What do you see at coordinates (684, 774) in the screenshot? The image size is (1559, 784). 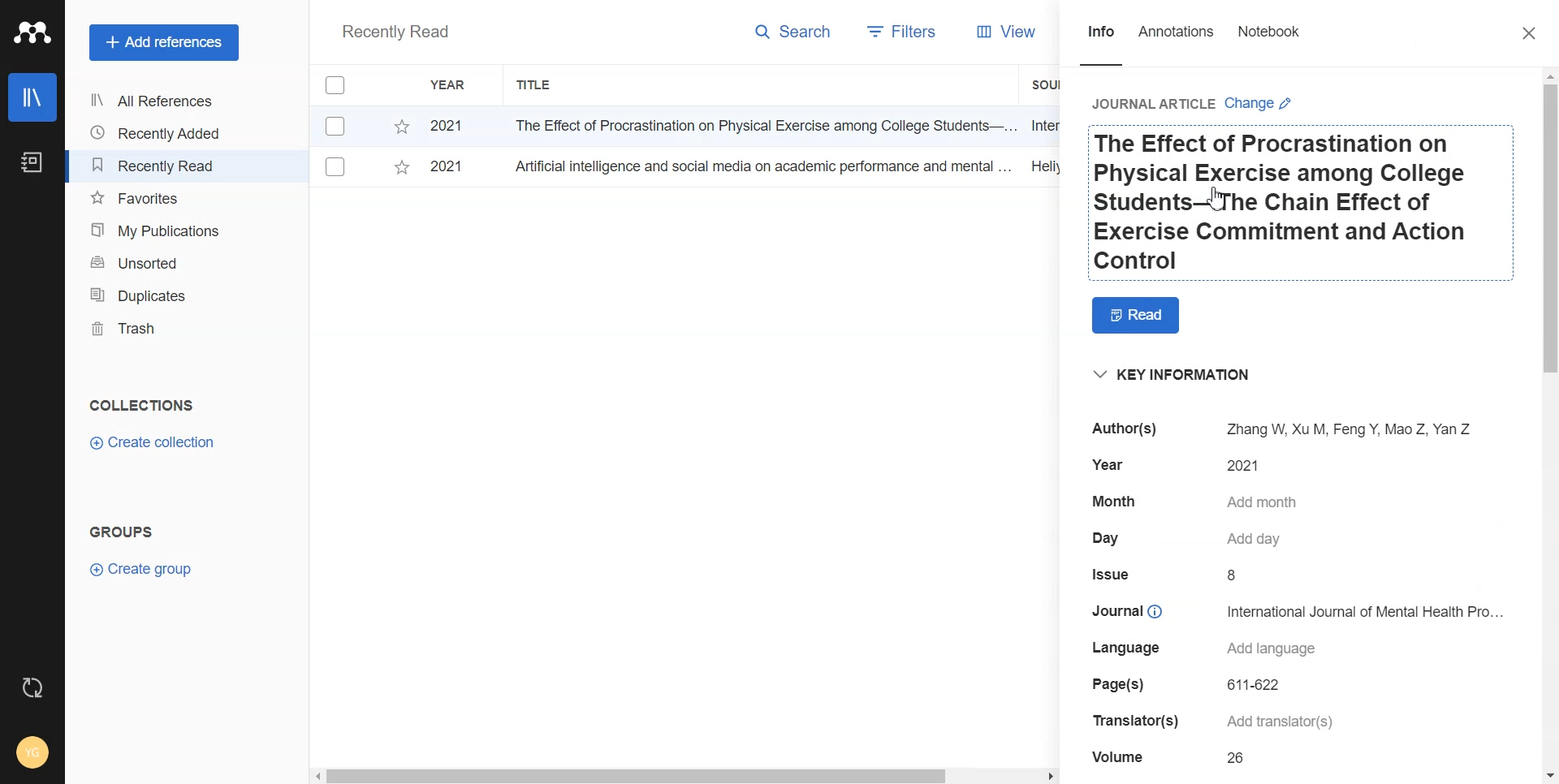 I see `Horizontal scroll bar` at bounding box center [684, 774].